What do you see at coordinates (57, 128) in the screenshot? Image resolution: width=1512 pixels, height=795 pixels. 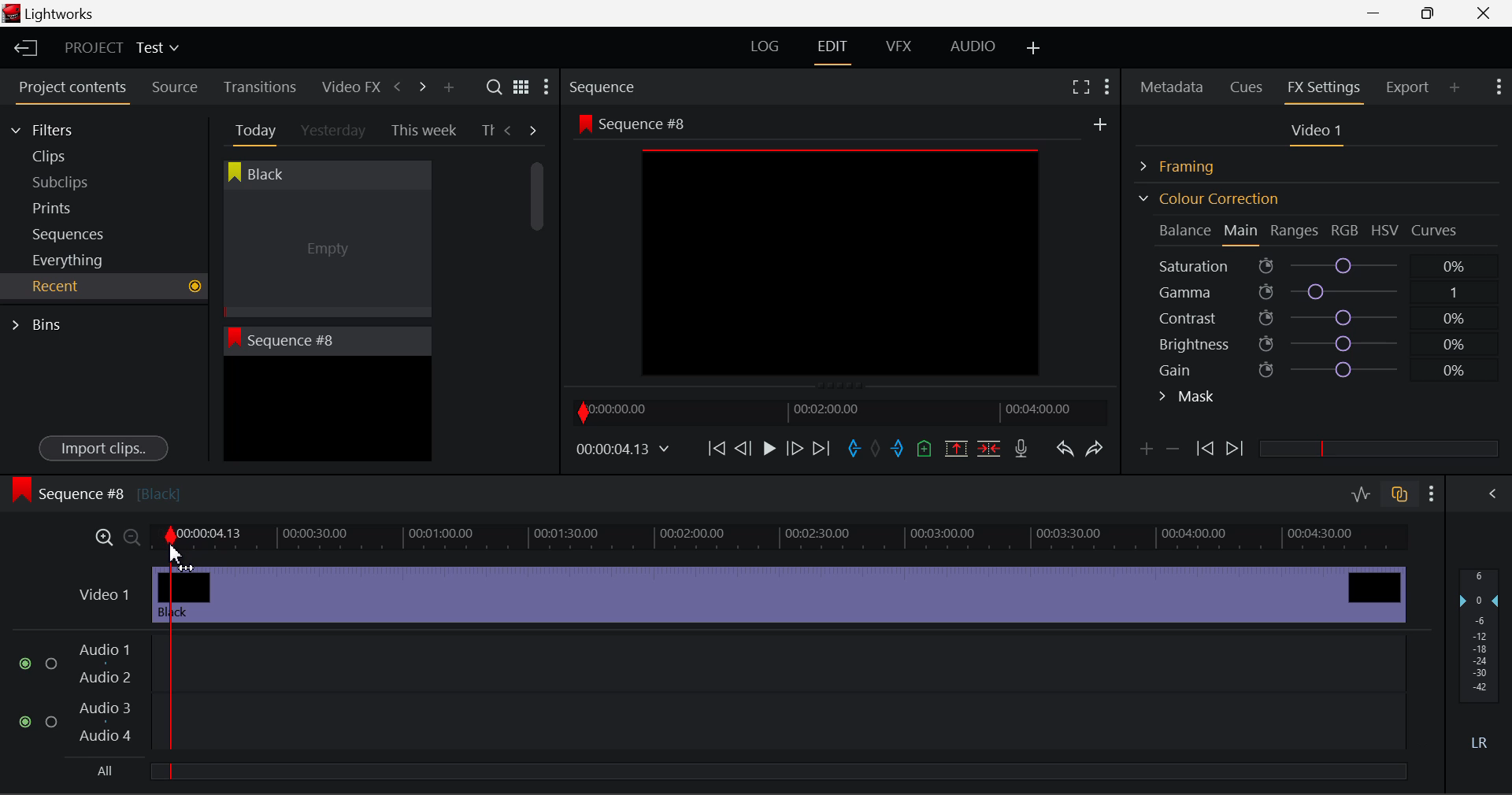 I see `Filters` at bounding box center [57, 128].